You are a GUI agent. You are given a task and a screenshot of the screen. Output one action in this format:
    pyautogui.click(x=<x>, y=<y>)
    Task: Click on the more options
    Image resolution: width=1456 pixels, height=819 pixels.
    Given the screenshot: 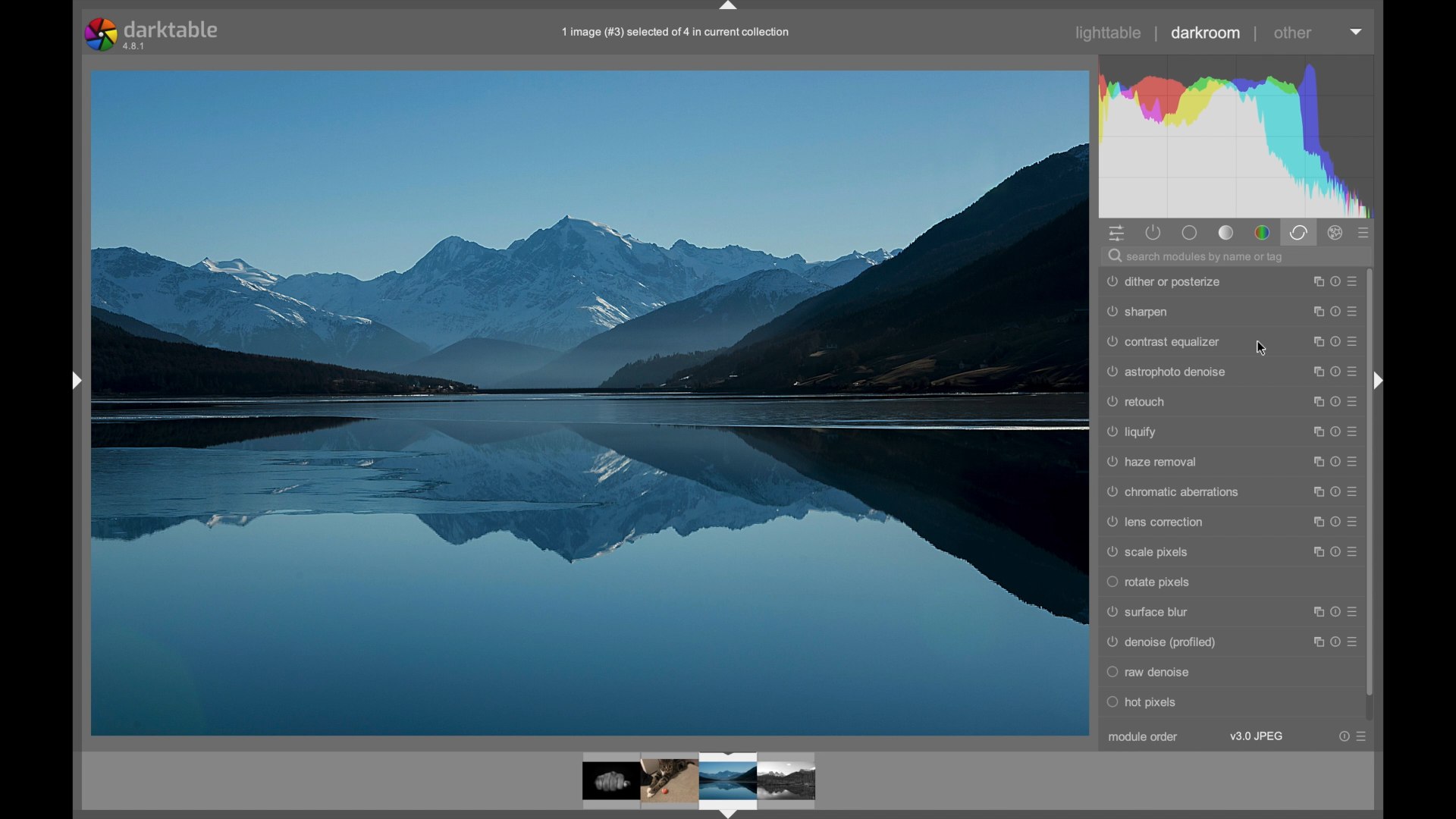 What is the action you would take?
    pyautogui.click(x=1352, y=736)
    